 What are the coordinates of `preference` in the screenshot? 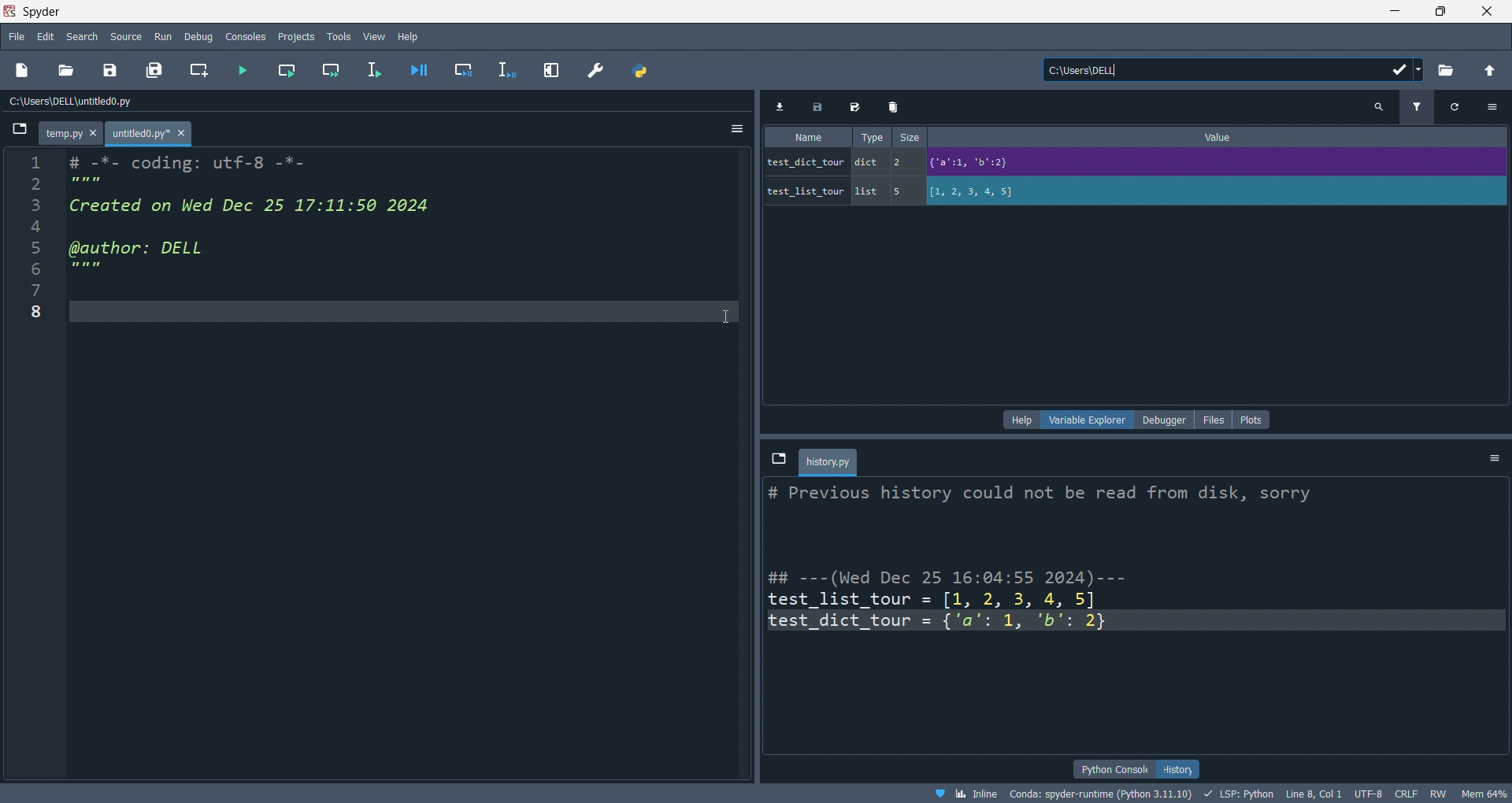 It's located at (595, 70).